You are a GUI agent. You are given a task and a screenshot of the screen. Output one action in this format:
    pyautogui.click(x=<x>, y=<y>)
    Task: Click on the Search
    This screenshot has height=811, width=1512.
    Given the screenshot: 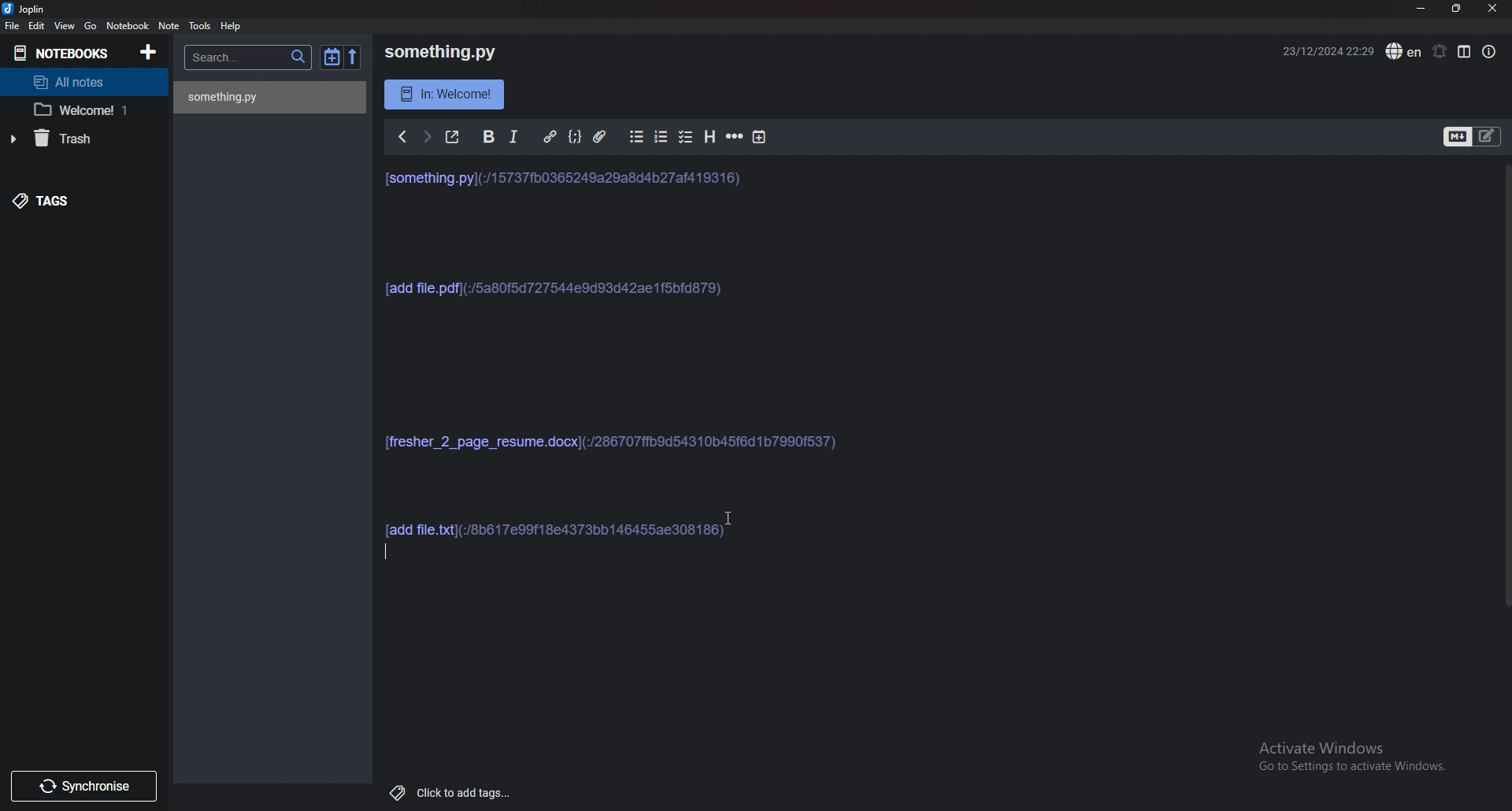 What is the action you would take?
    pyautogui.click(x=249, y=57)
    